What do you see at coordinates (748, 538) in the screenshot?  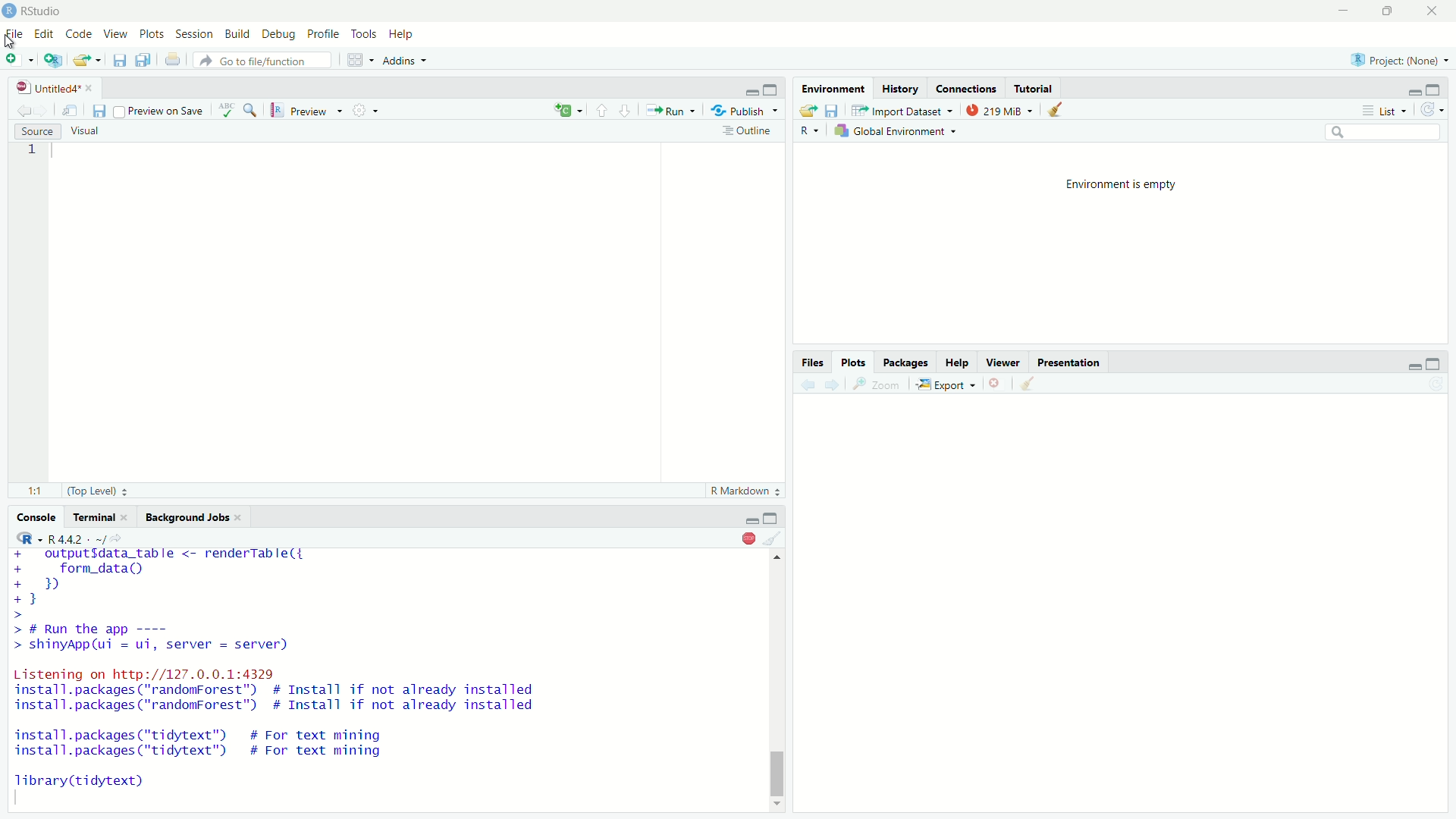 I see `Stop console` at bounding box center [748, 538].